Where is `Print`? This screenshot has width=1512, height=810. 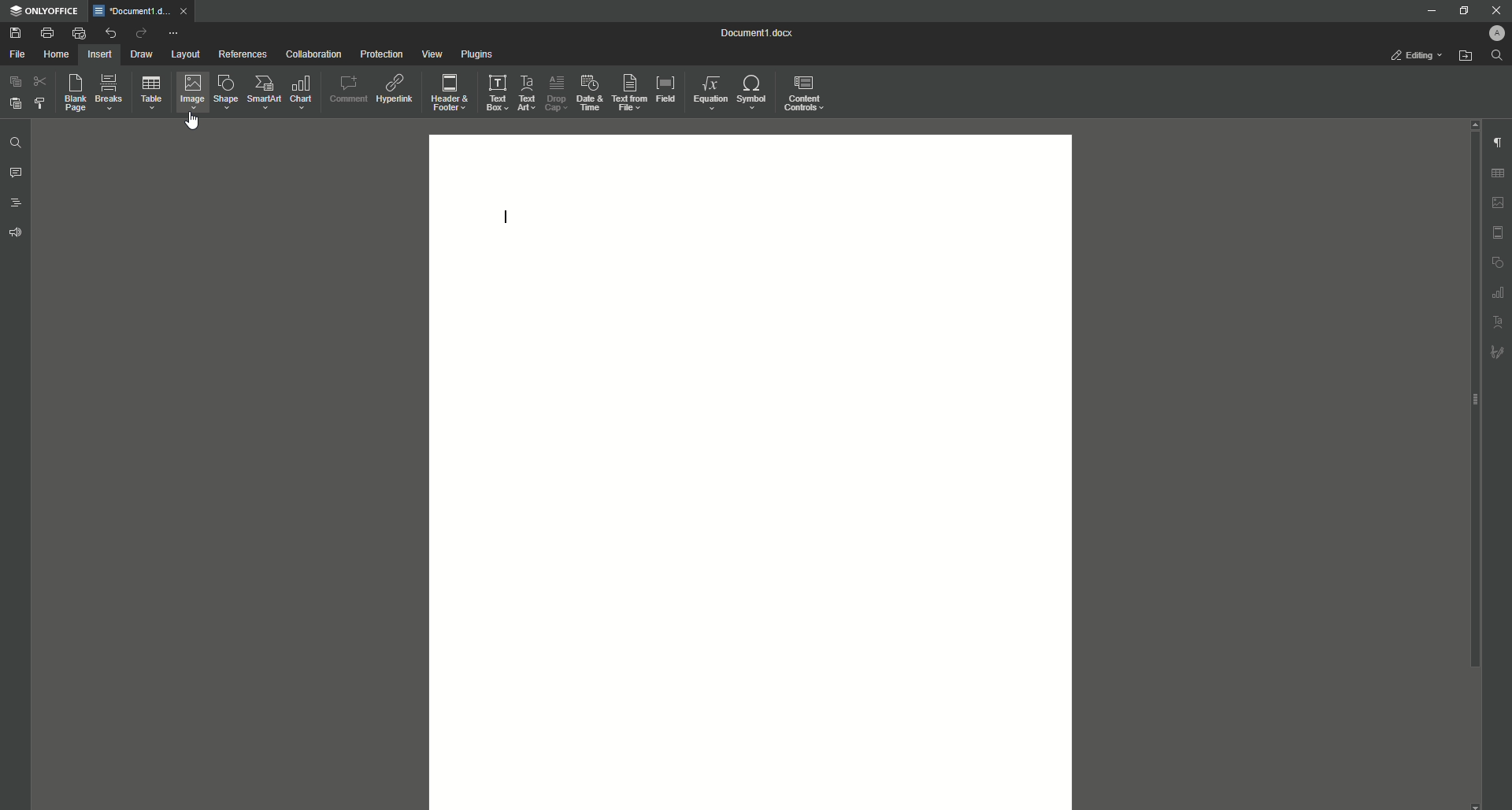 Print is located at coordinates (46, 33).